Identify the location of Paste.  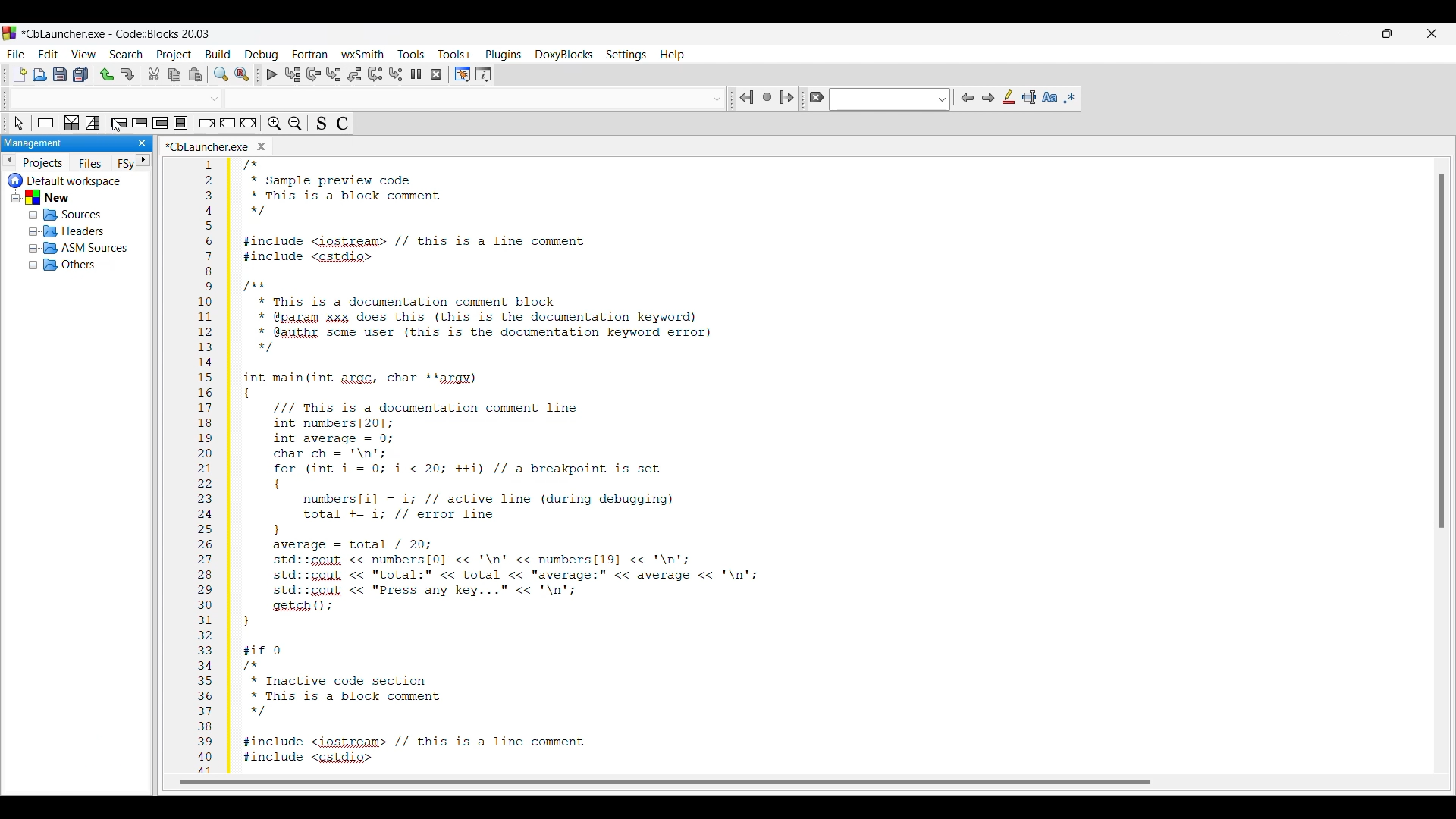
(195, 74).